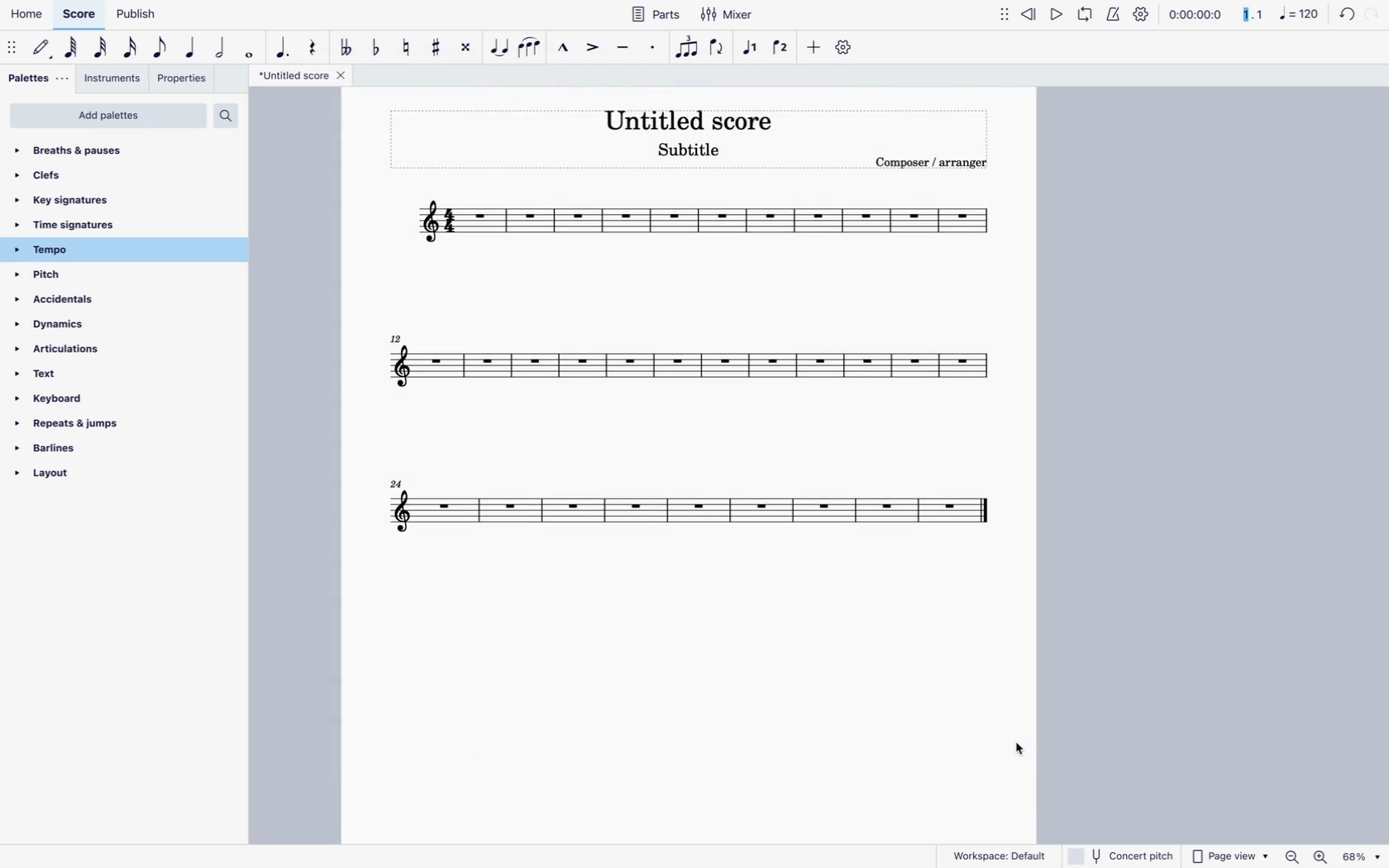 The height and width of the screenshot is (868, 1389). What do you see at coordinates (813, 50) in the screenshot?
I see `more` at bounding box center [813, 50].